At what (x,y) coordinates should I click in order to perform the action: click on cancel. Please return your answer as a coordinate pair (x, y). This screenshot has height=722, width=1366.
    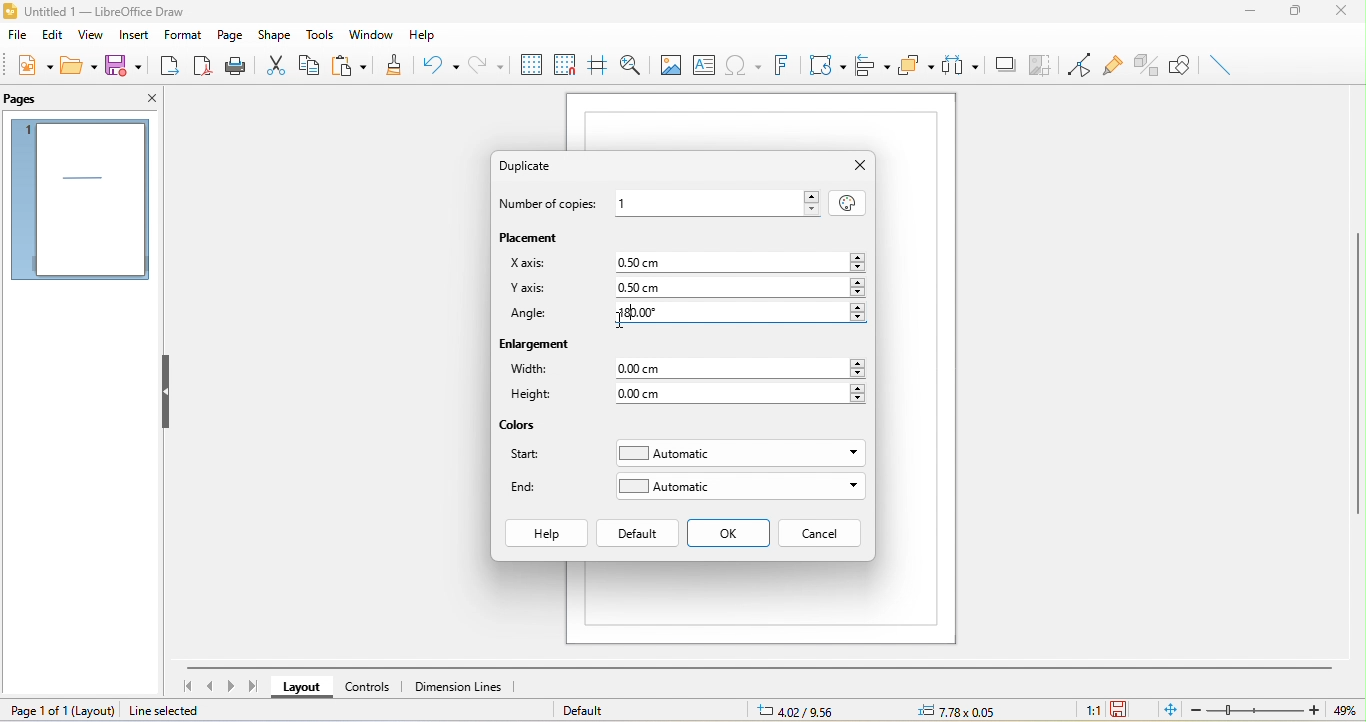
    Looking at the image, I should click on (820, 533).